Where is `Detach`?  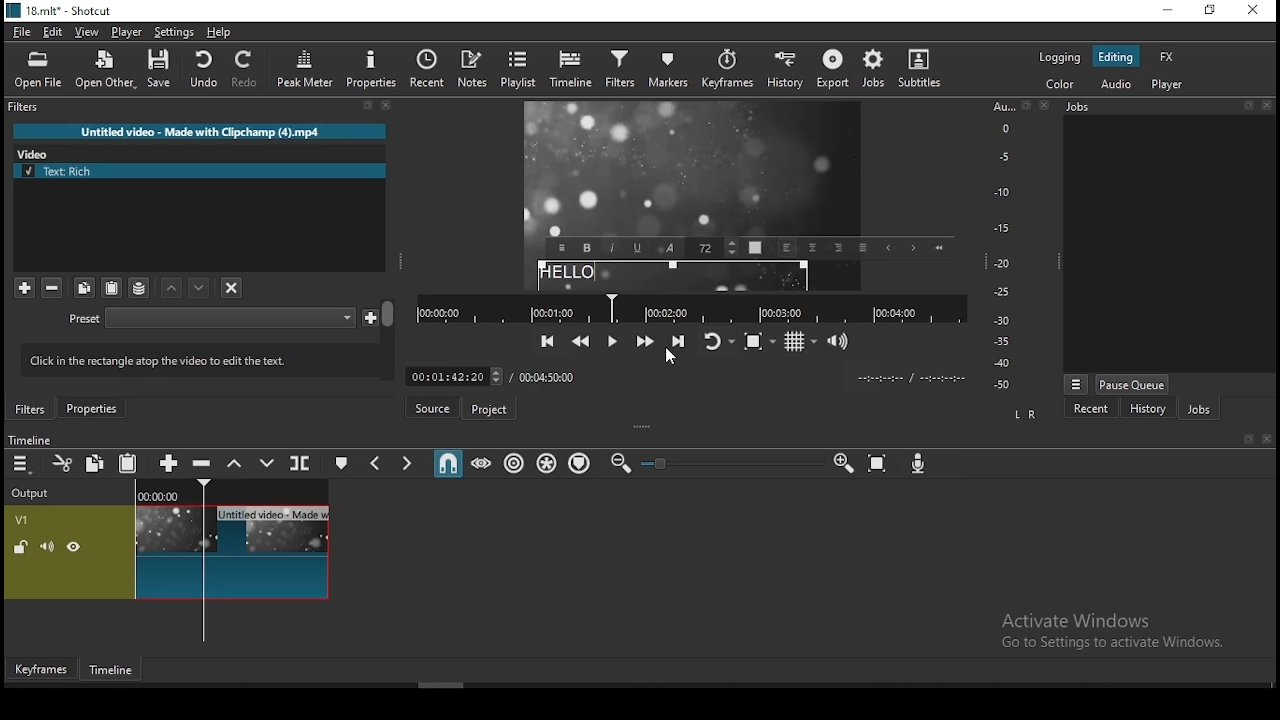
Detach is located at coordinates (1250, 439).